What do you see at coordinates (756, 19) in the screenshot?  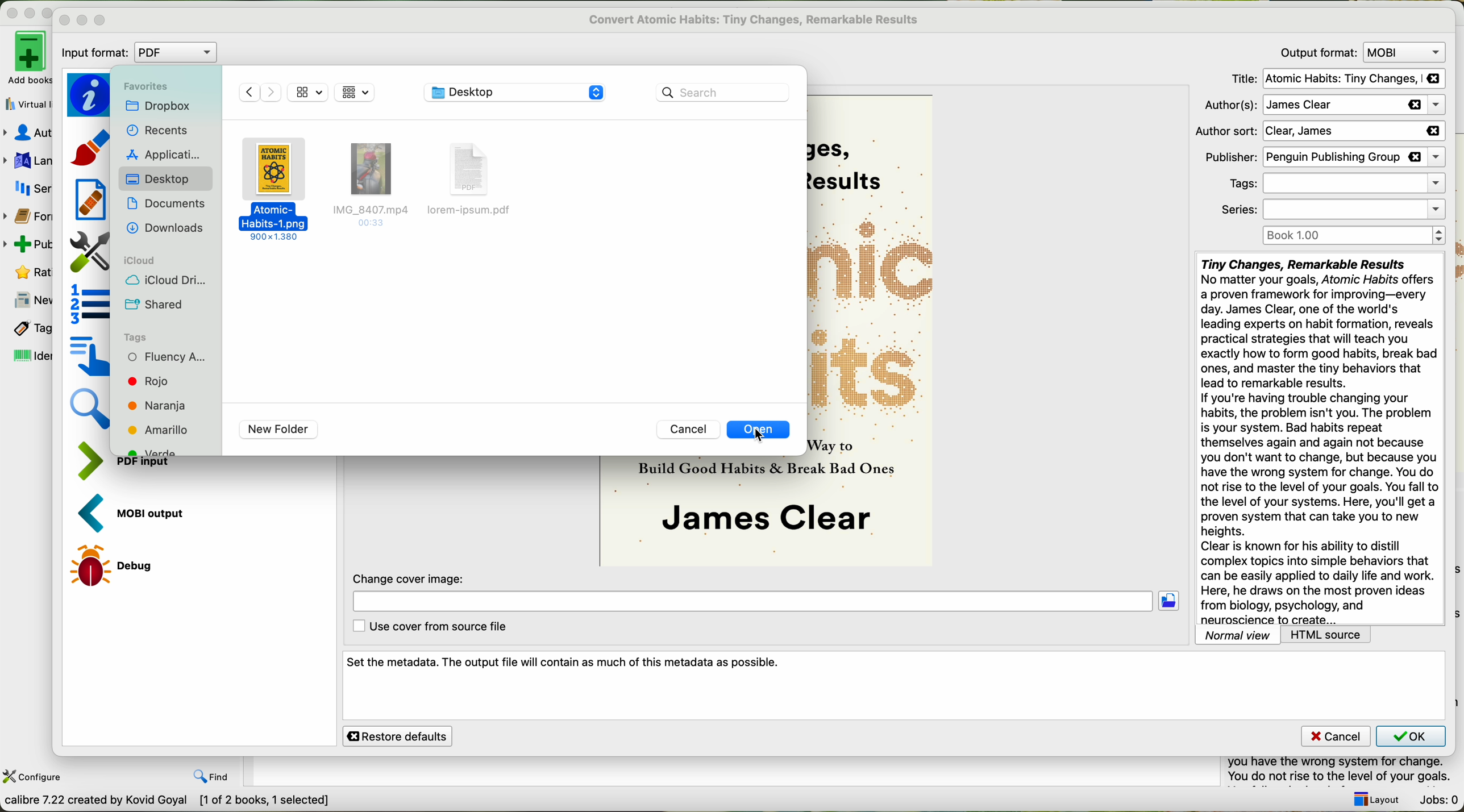 I see `convert atomic habits` at bounding box center [756, 19].